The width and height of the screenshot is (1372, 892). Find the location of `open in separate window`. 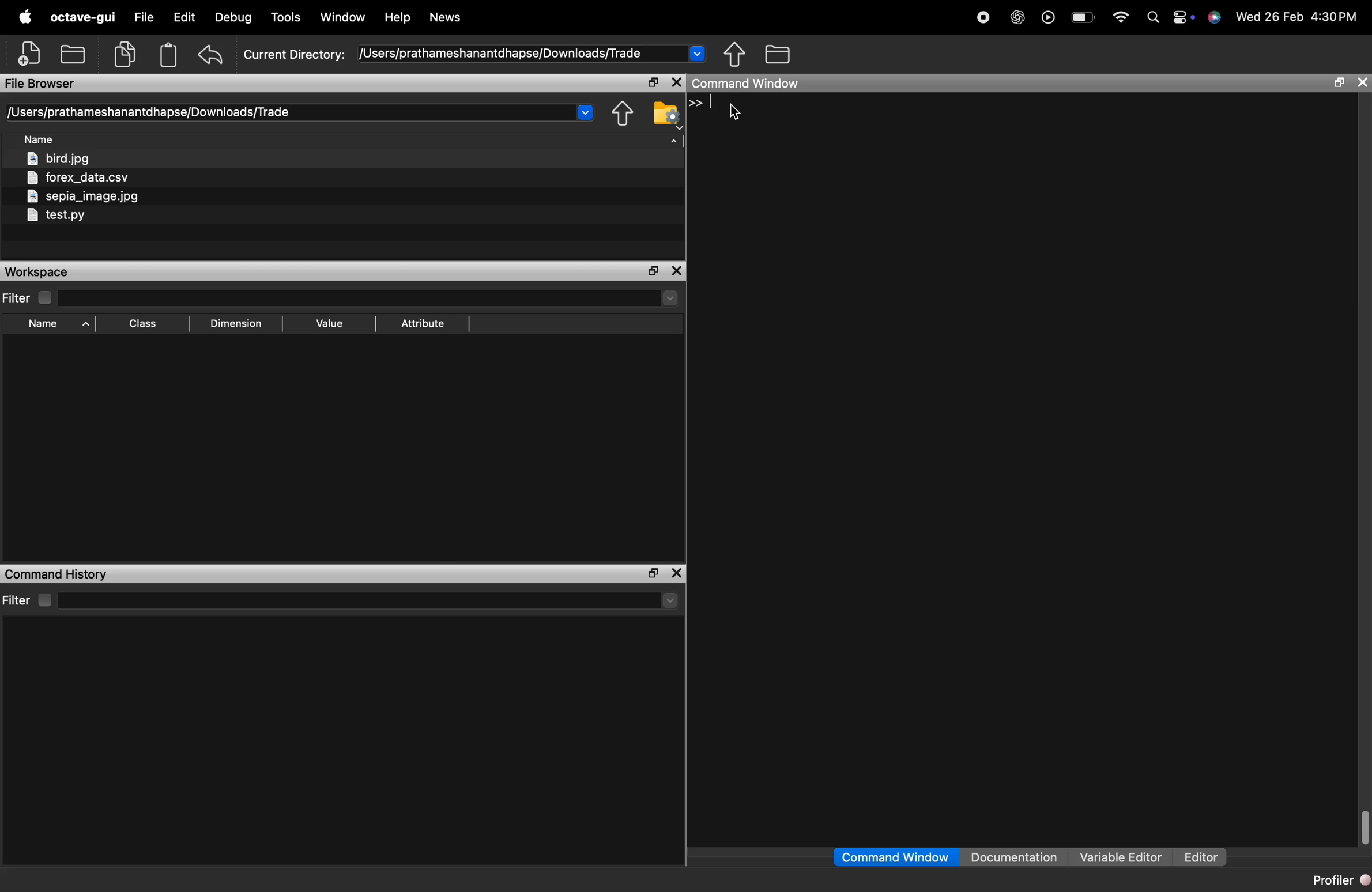

open in separate window is located at coordinates (654, 270).